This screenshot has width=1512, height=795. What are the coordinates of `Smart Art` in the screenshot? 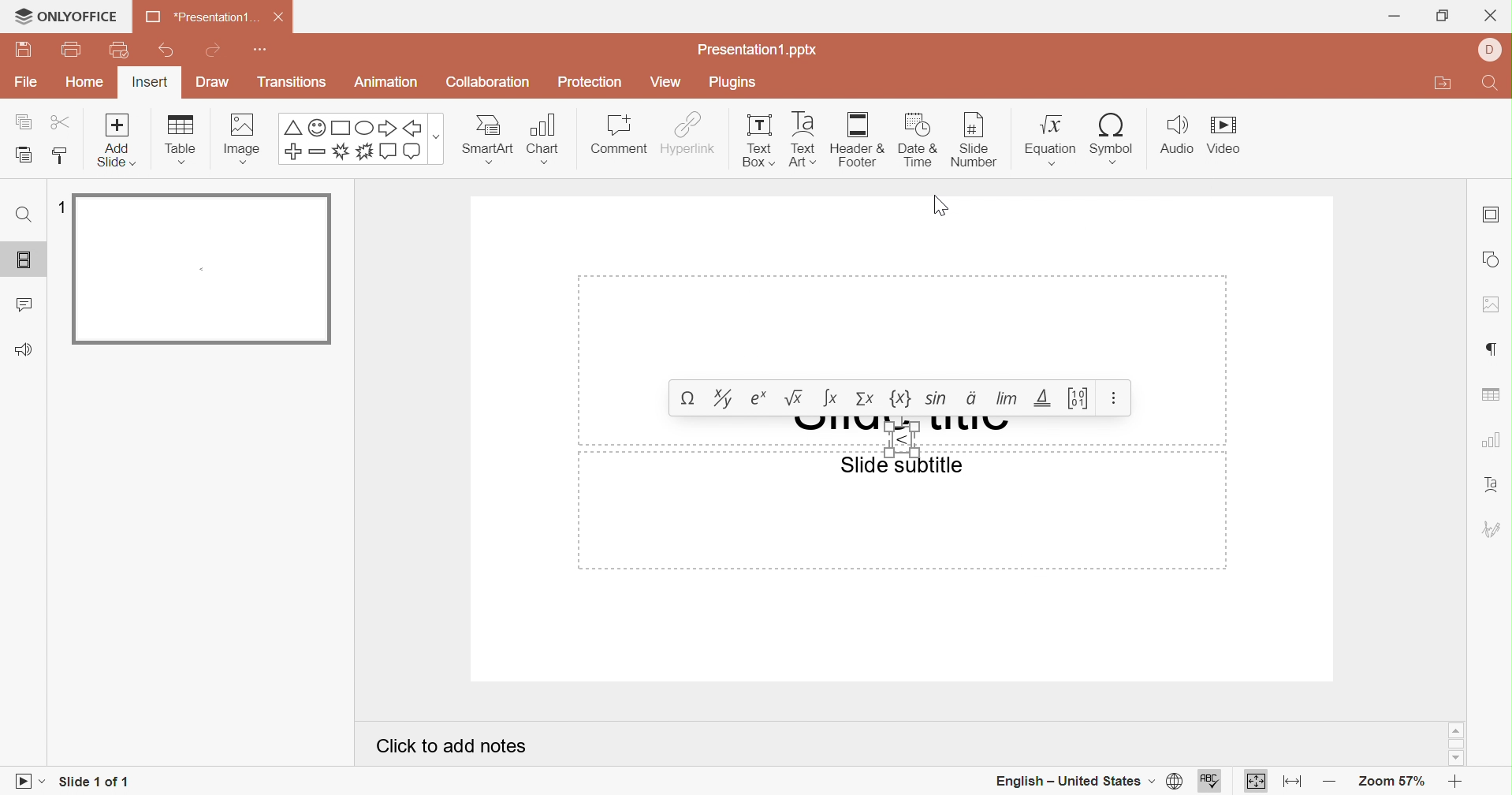 It's located at (488, 140).